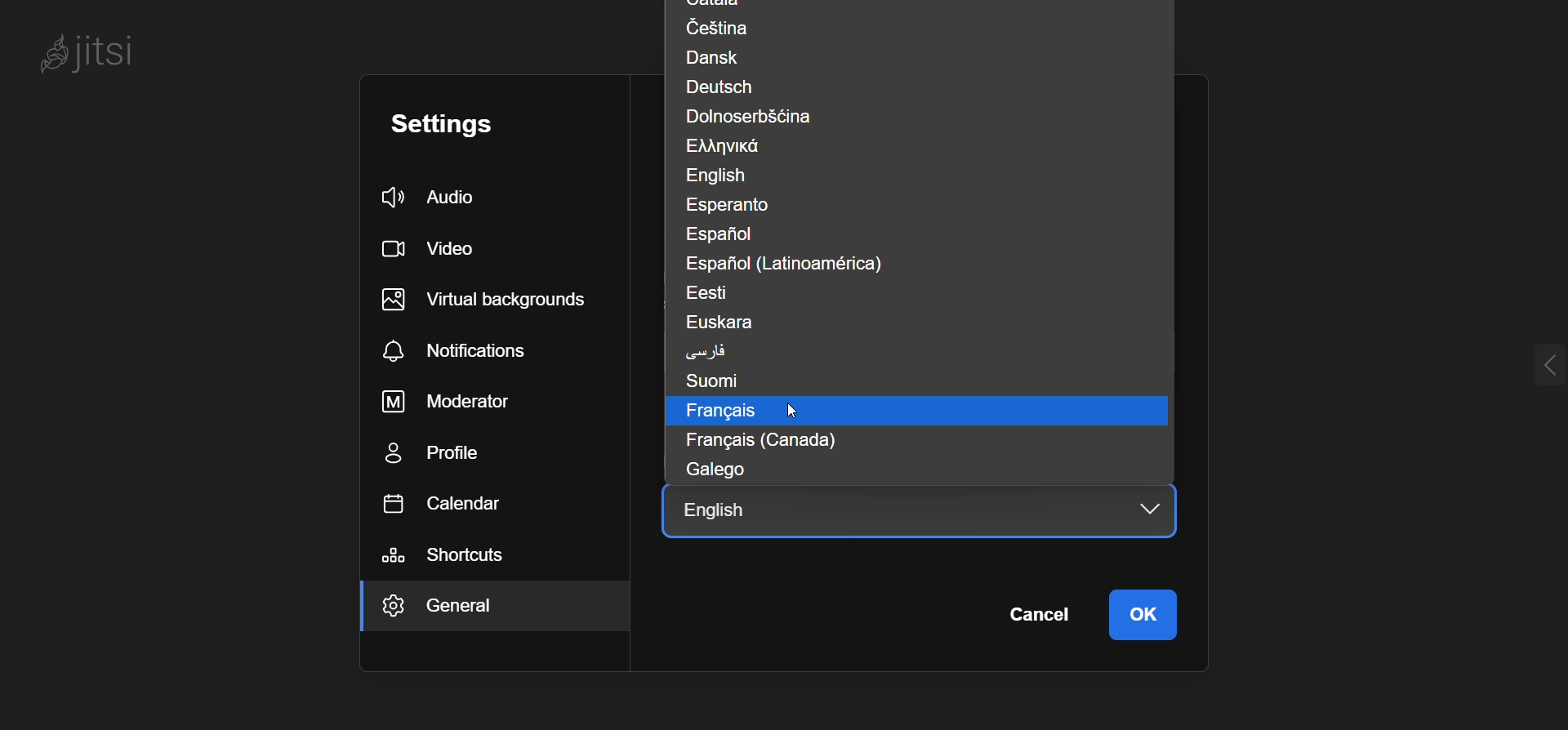 This screenshot has height=730, width=1568. What do you see at coordinates (788, 262) in the screenshot?
I see `Espariol (Latinoamérica)` at bounding box center [788, 262].